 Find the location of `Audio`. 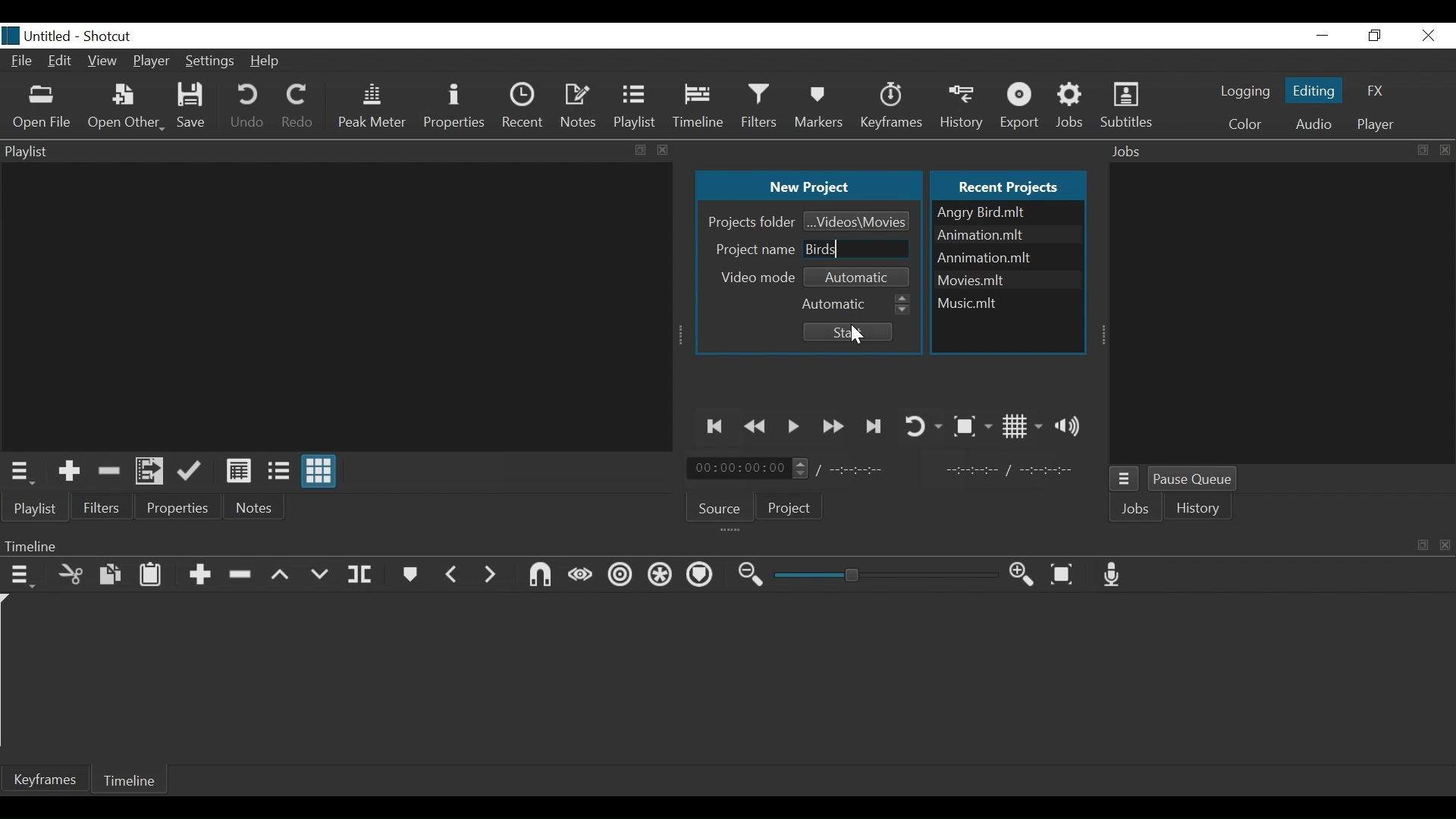

Audio is located at coordinates (1313, 124).